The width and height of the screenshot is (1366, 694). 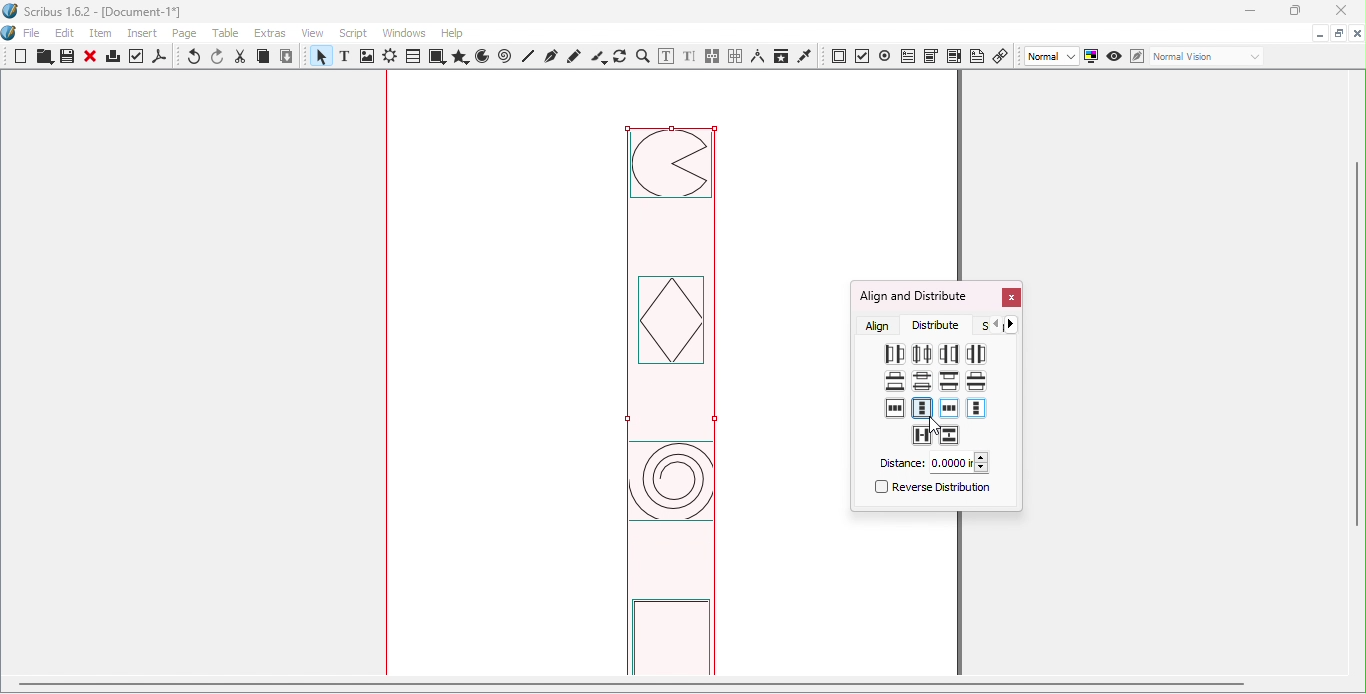 I want to click on Logo, so click(x=10, y=34).